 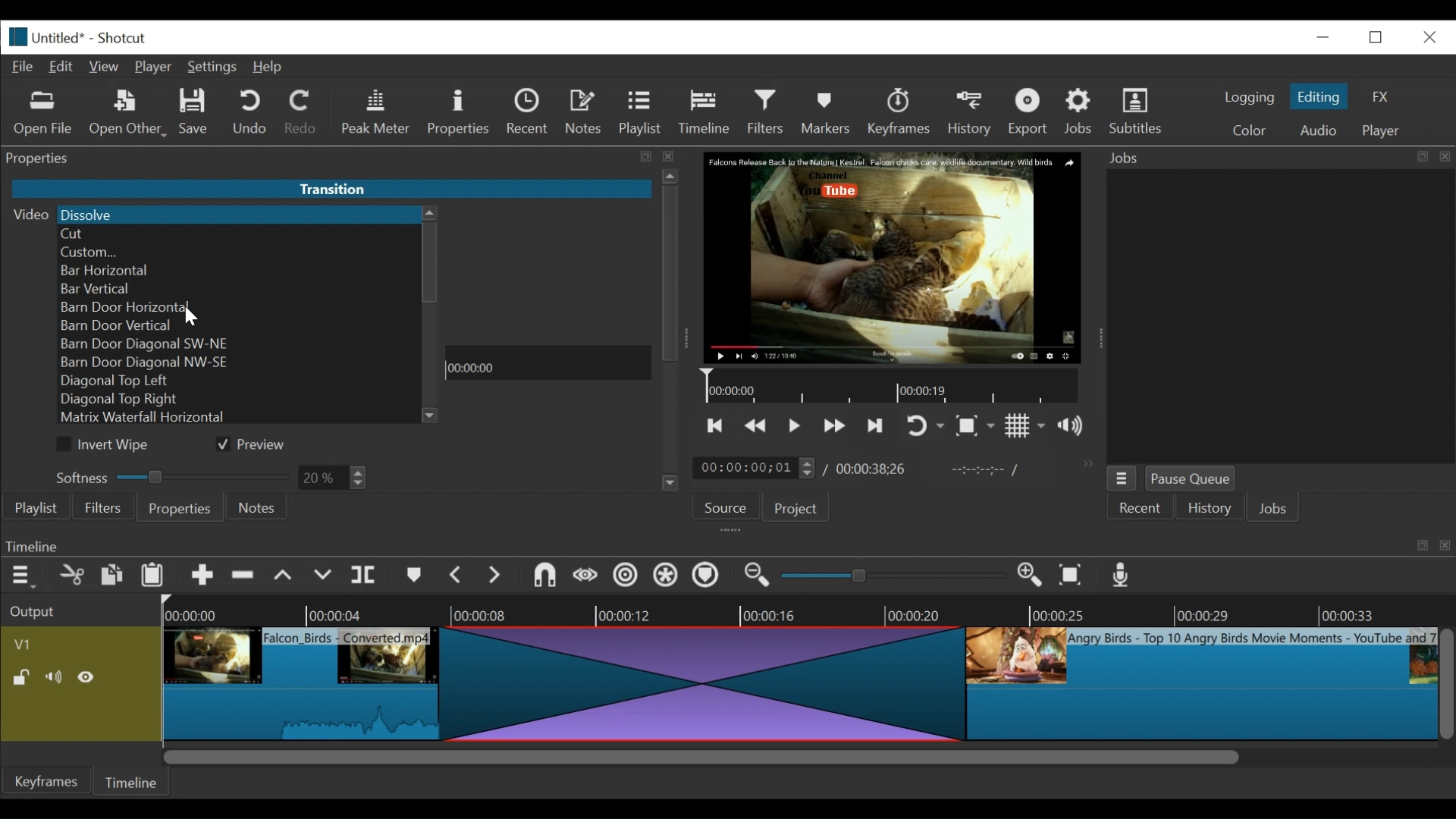 I want to click on Transitition, so click(x=331, y=190).